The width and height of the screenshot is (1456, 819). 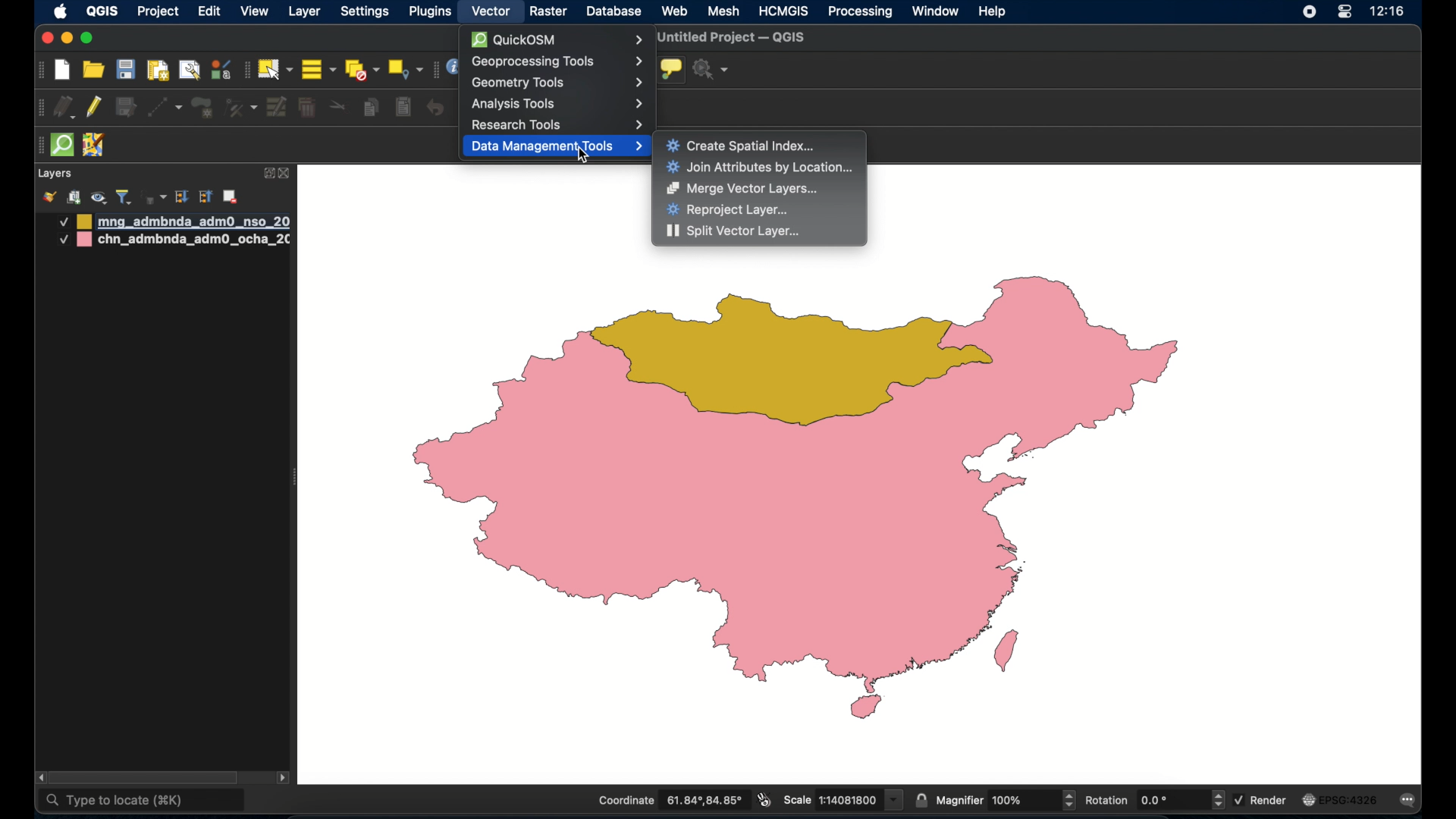 I want to click on save edits, so click(x=125, y=108).